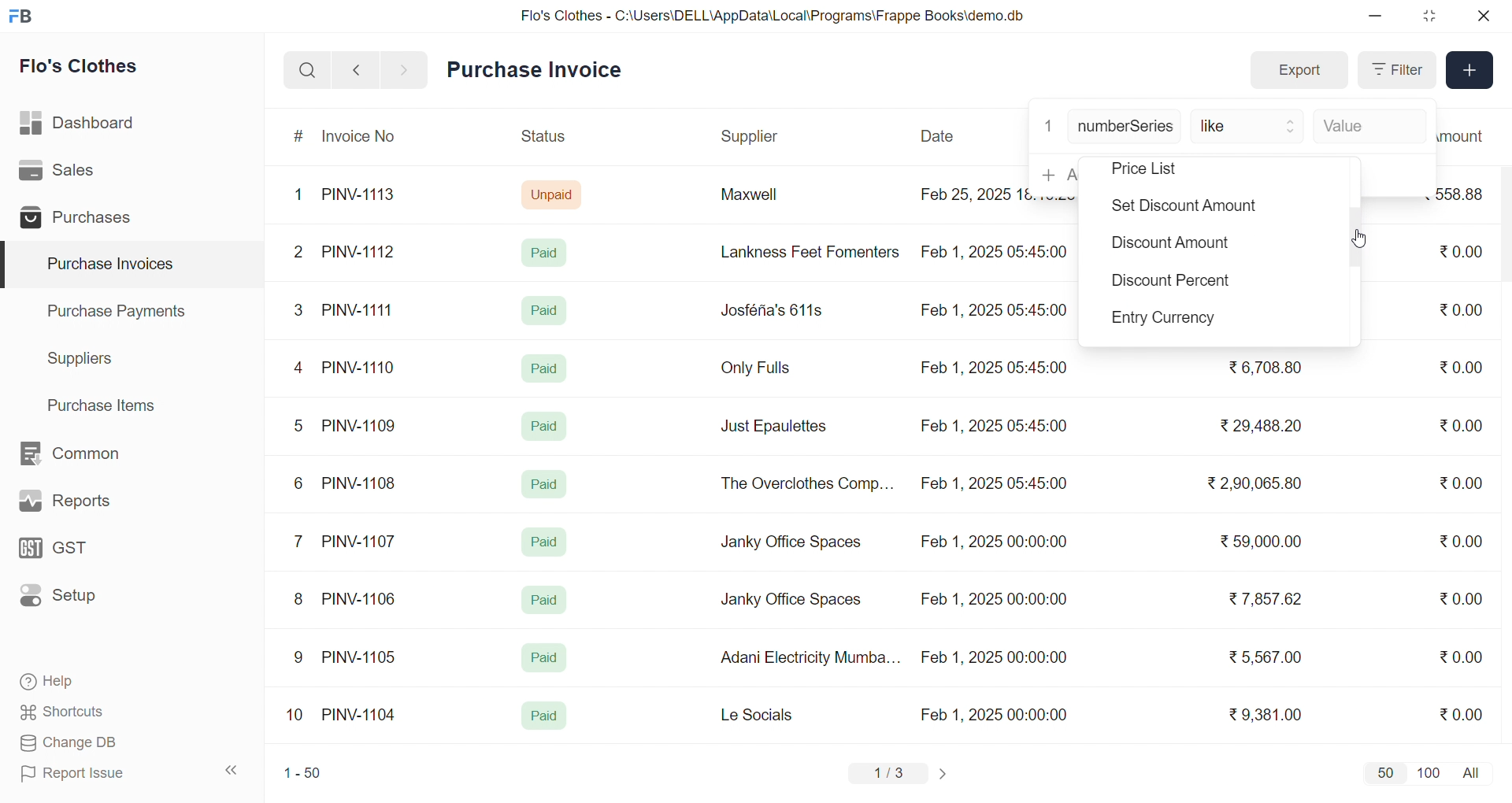 The width and height of the screenshot is (1512, 803). What do you see at coordinates (762, 372) in the screenshot?
I see `Only Fulls` at bounding box center [762, 372].